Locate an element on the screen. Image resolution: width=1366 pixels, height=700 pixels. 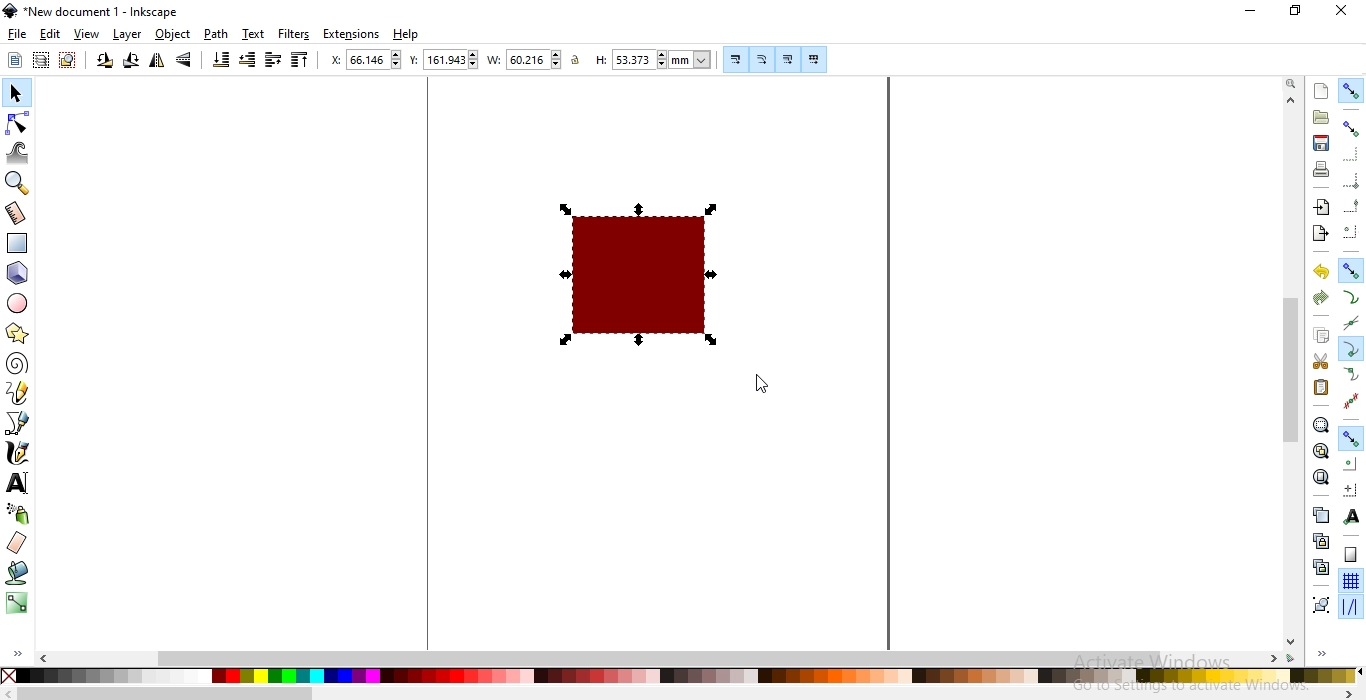
enable snapping is located at coordinates (1352, 89).